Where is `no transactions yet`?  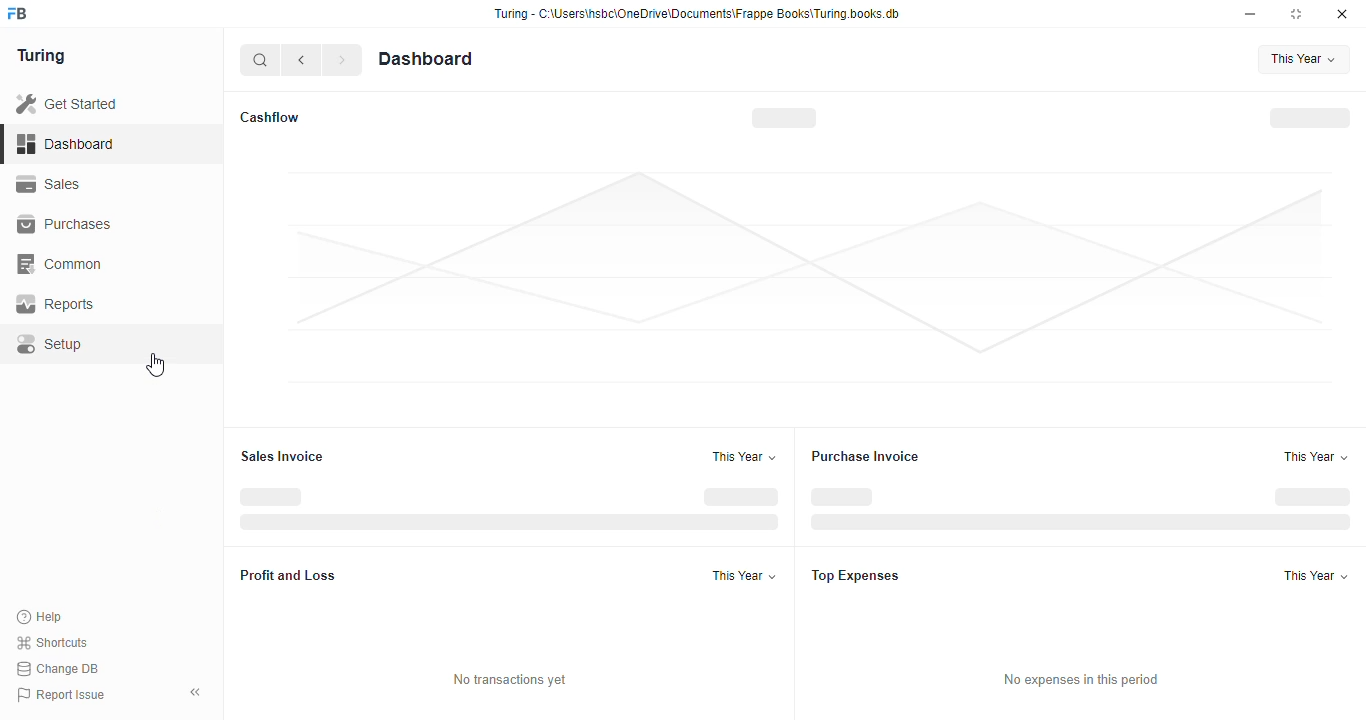
no transactions yet is located at coordinates (509, 679).